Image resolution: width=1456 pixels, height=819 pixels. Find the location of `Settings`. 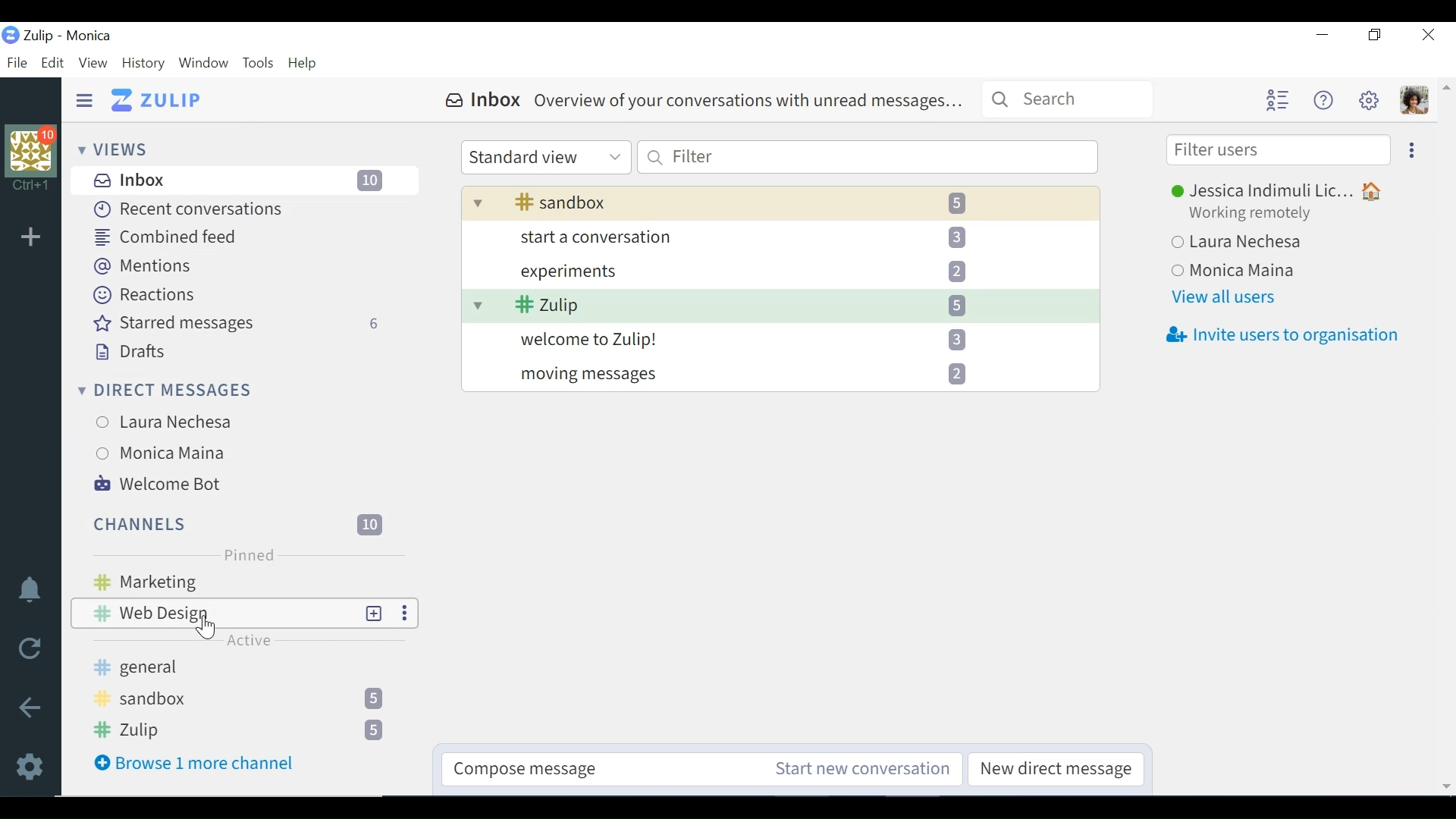

Settings is located at coordinates (33, 764).